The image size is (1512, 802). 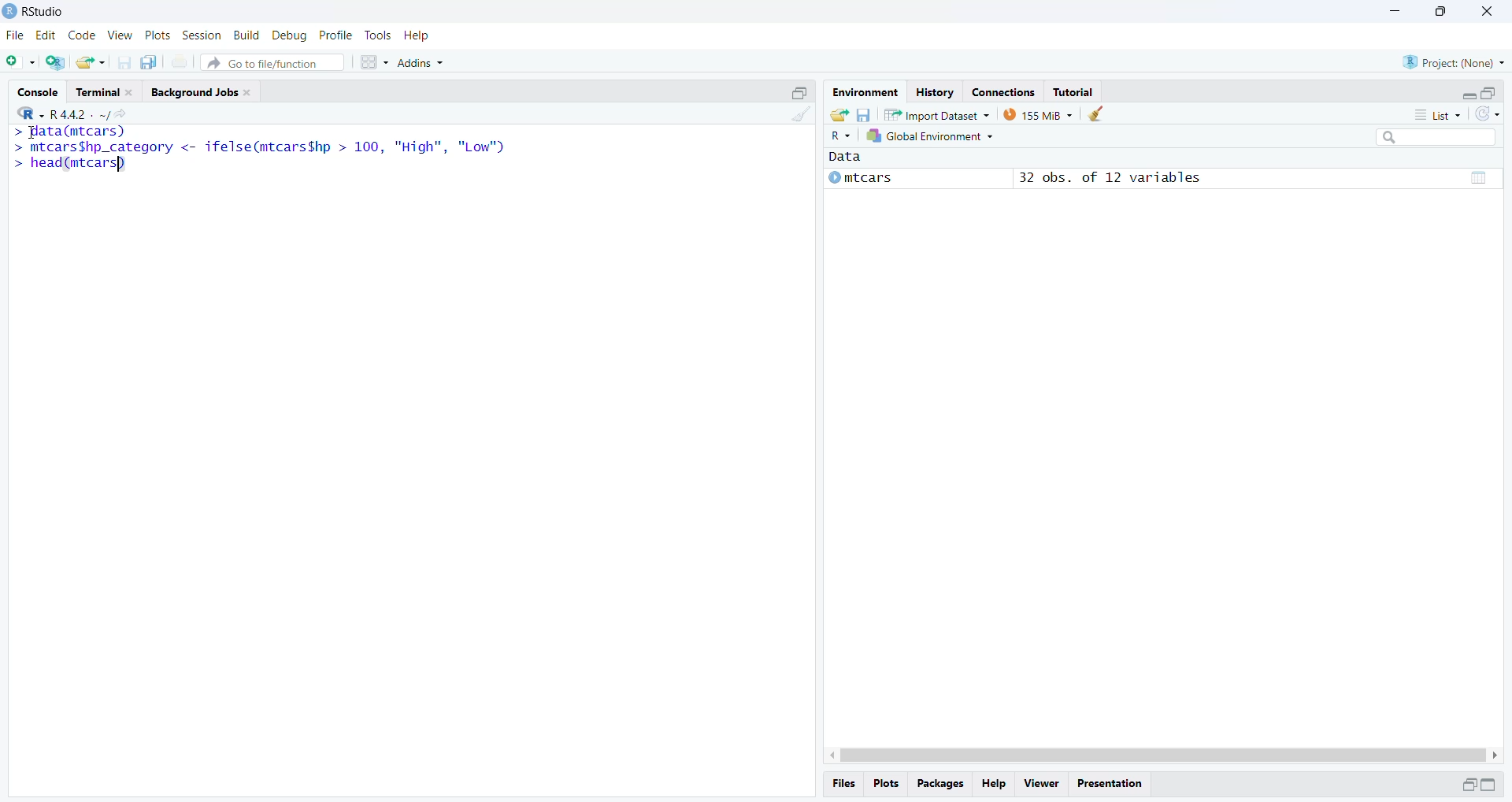 I want to click on Workspace panes, so click(x=373, y=61).